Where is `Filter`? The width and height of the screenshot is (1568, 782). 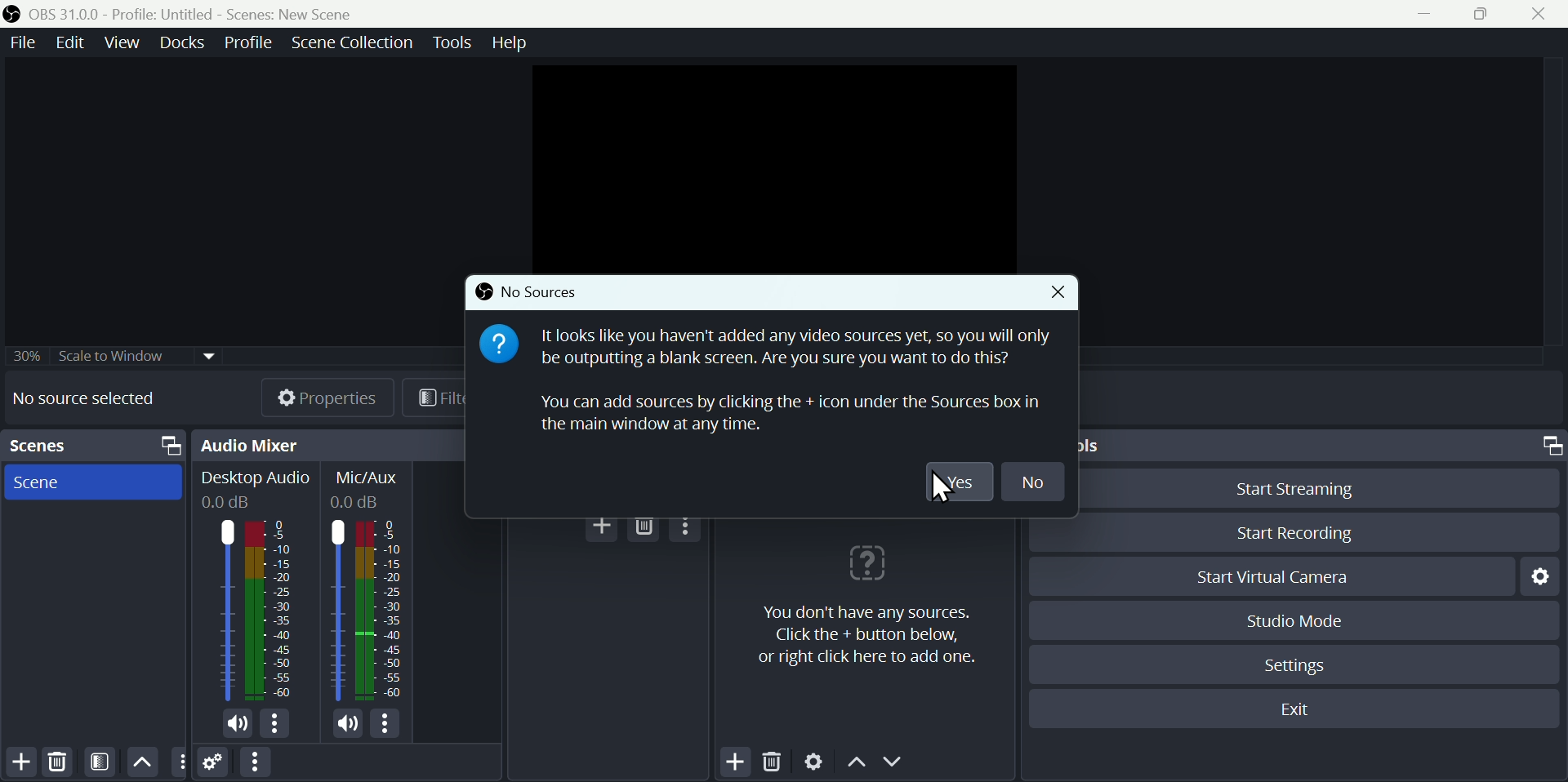
Filter is located at coordinates (99, 760).